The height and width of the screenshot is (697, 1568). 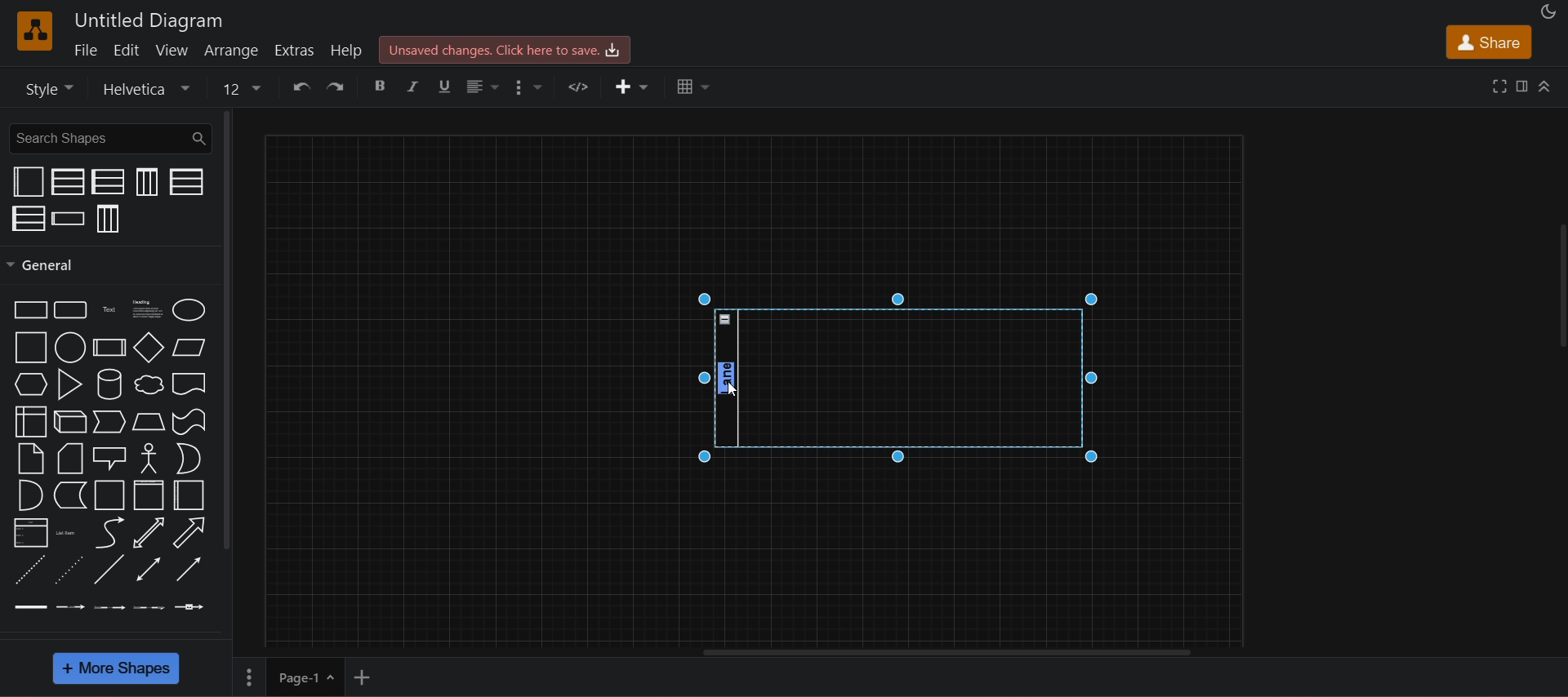 What do you see at coordinates (69, 384) in the screenshot?
I see `triangle` at bounding box center [69, 384].